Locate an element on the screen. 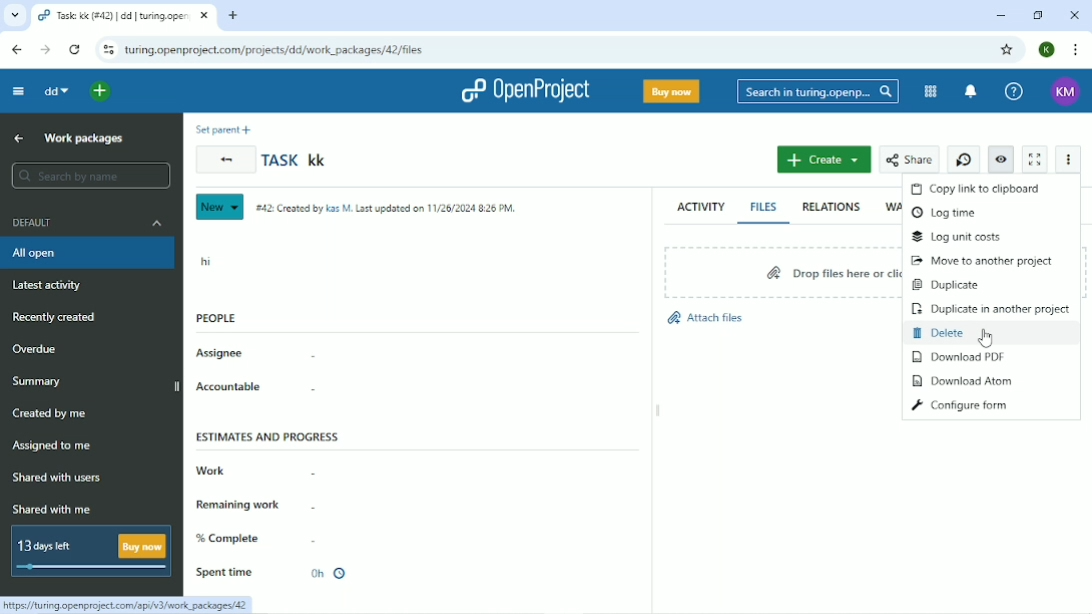 The height and width of the screenshot is (614, 1092). Close is located at coordinates (1073, 14).